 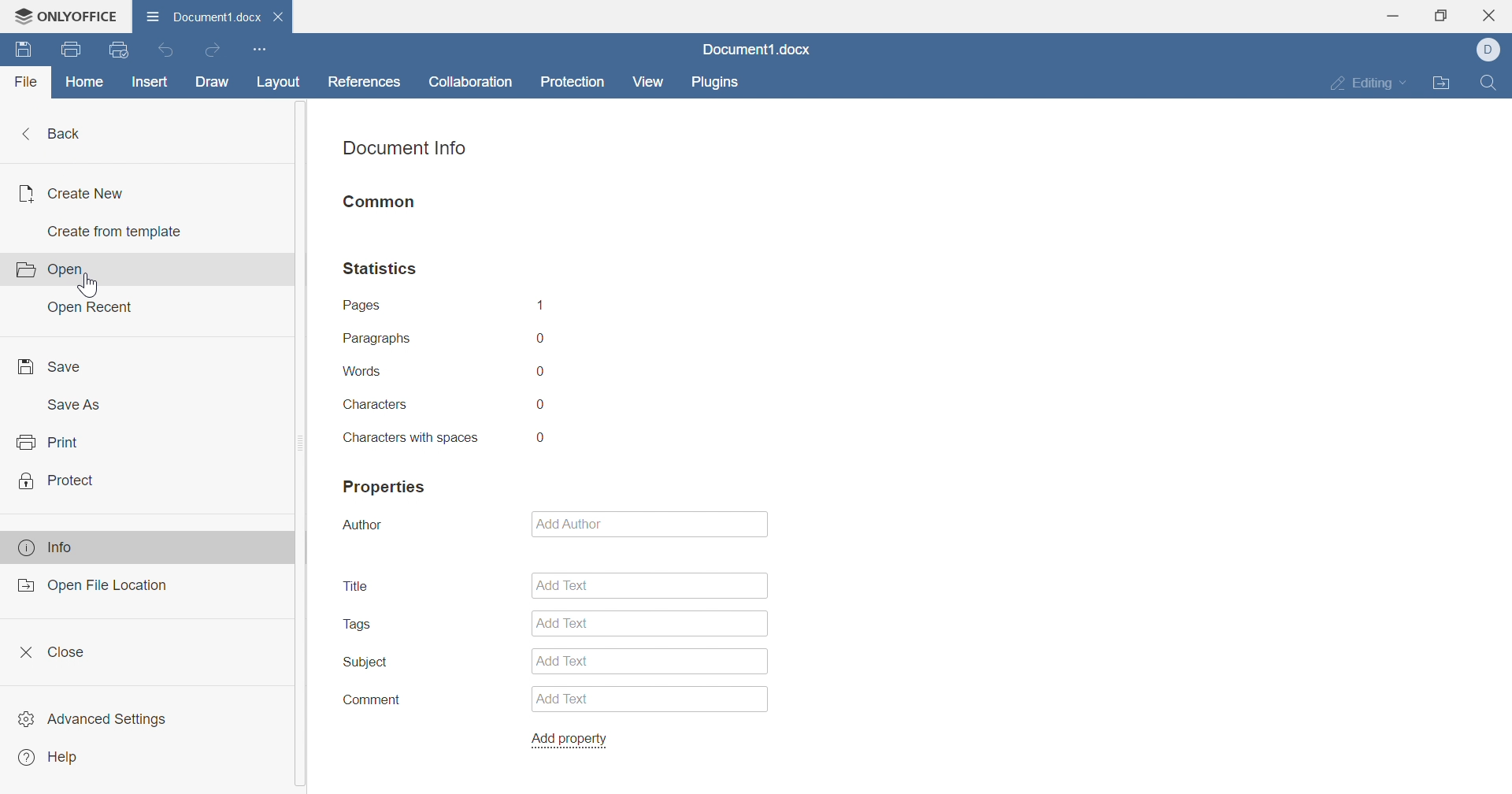 I want to click on plugins, so click(x=713, y=83).